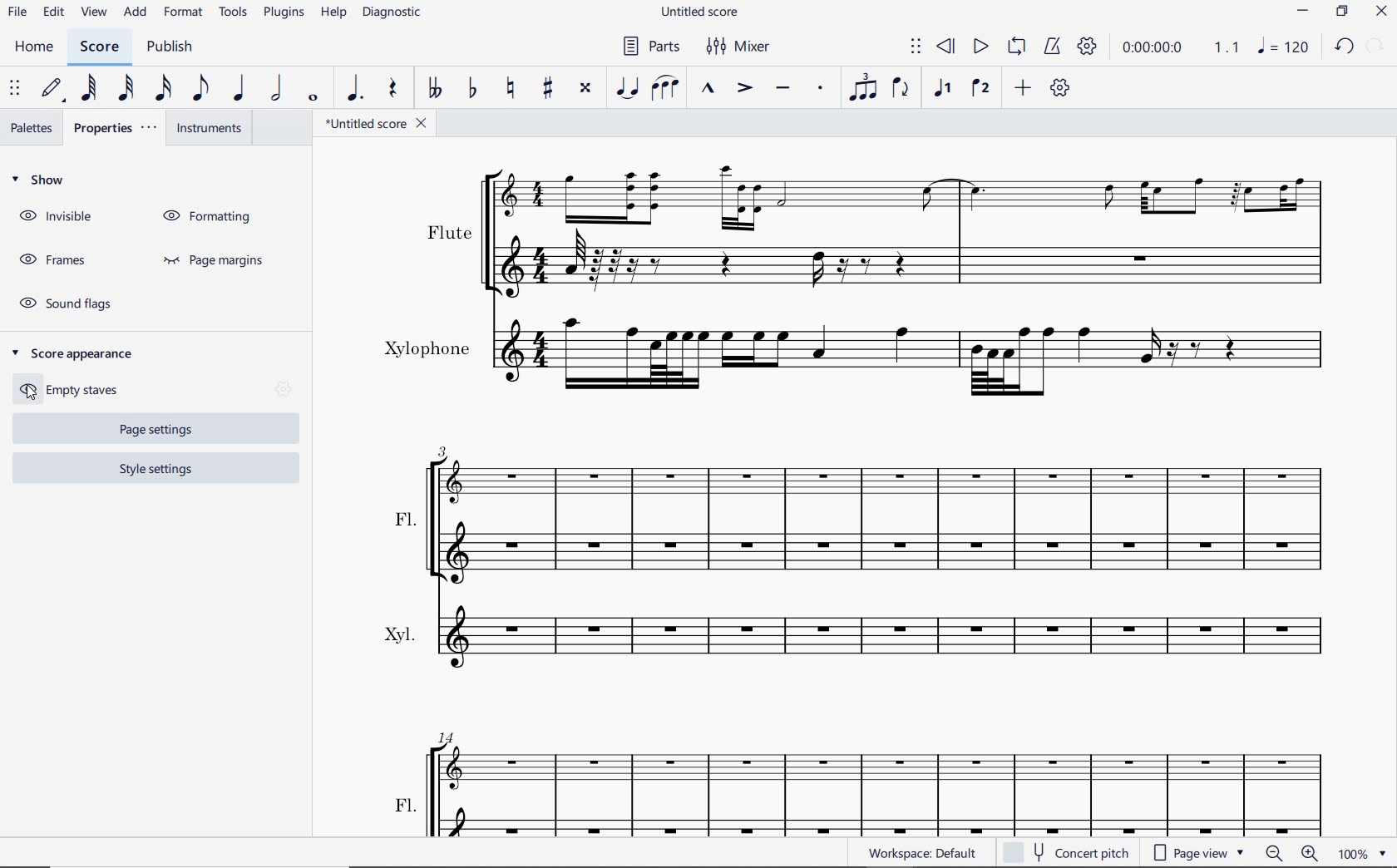 This screenshot has height=868, width=1397. What do you see at coordinates (735, 47) in the screenshot?
I see `MIXER` at bounding box center [735, 47].